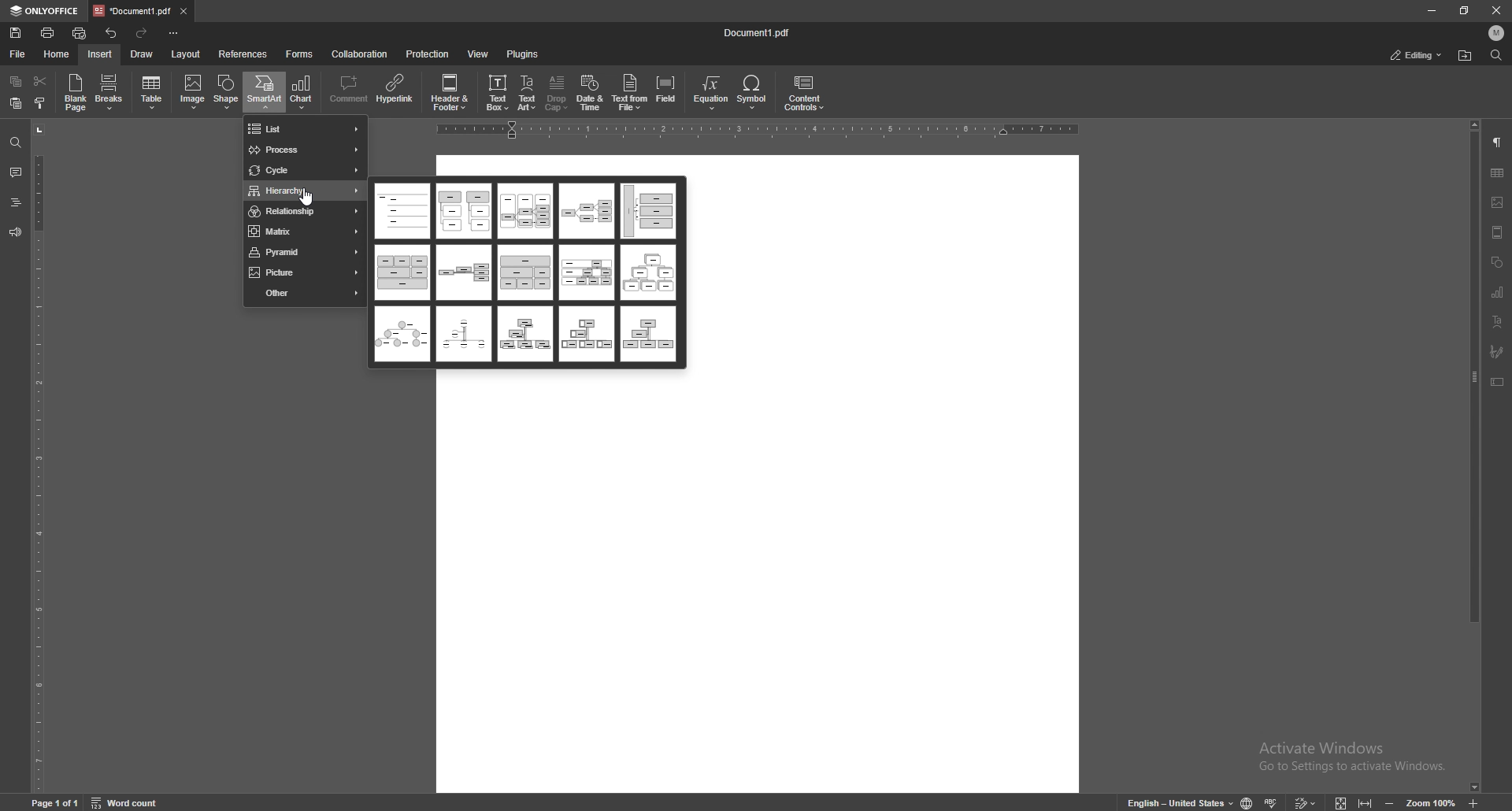 Image resolution: width=1512 pixels, height=811 pixels. I want to click on fit to page, so click(1341, 801).